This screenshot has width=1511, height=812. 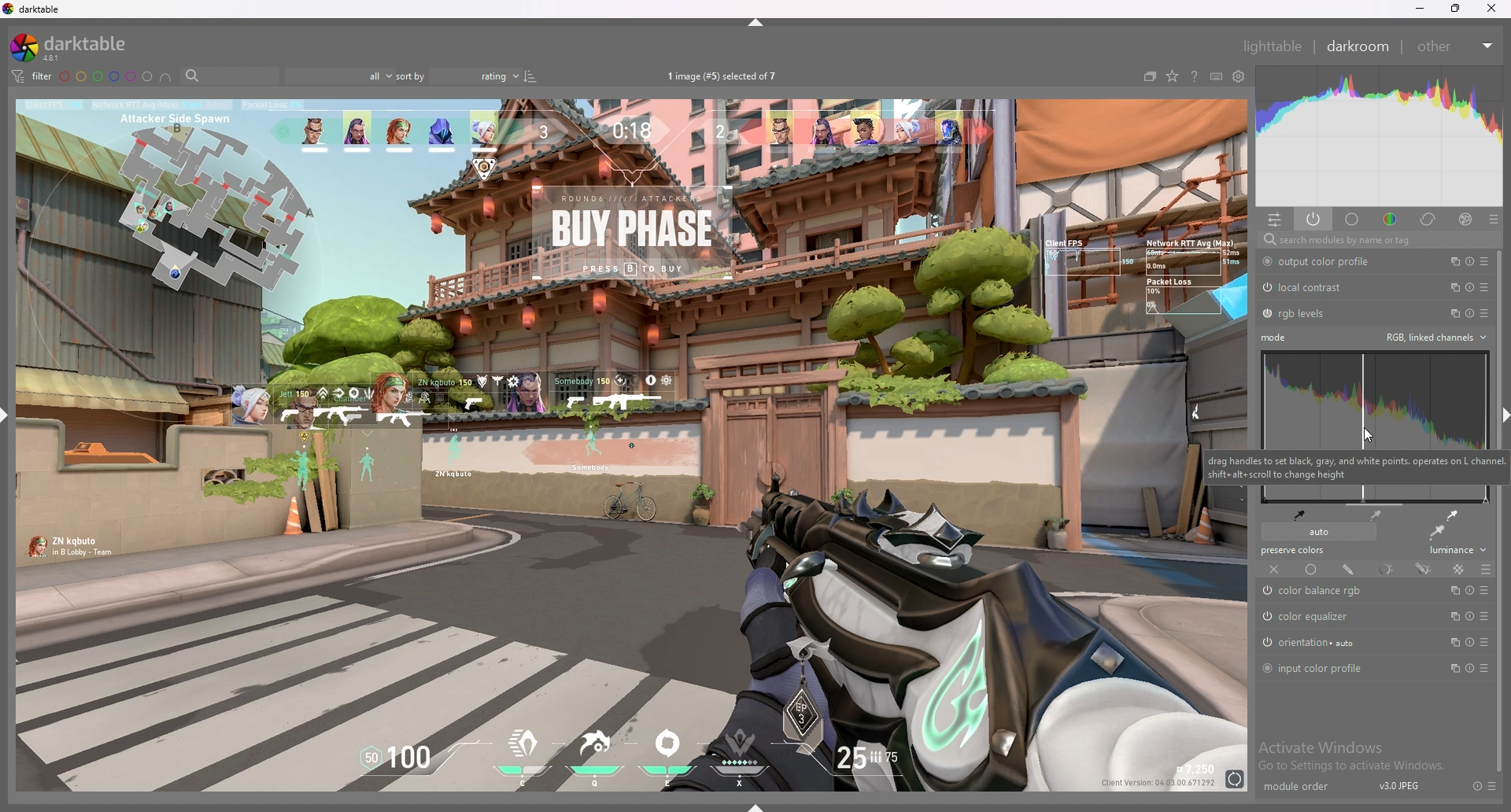 What do you see at coordinates (1385, 569) in the screenshot?
I see `parametric mask` at bounding box center [1385, 569].